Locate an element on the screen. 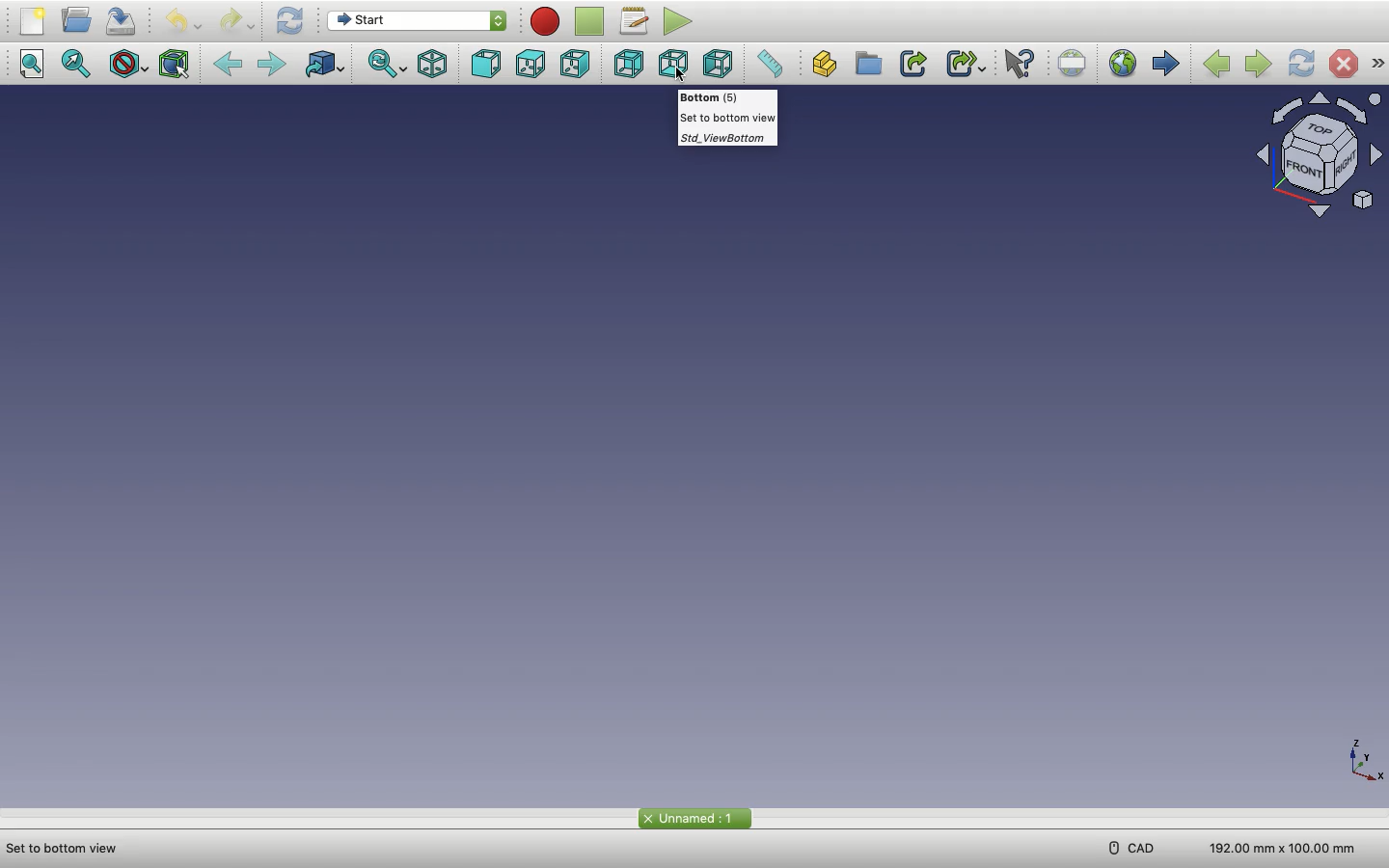  Sync view is located at coordinates (389, 67).